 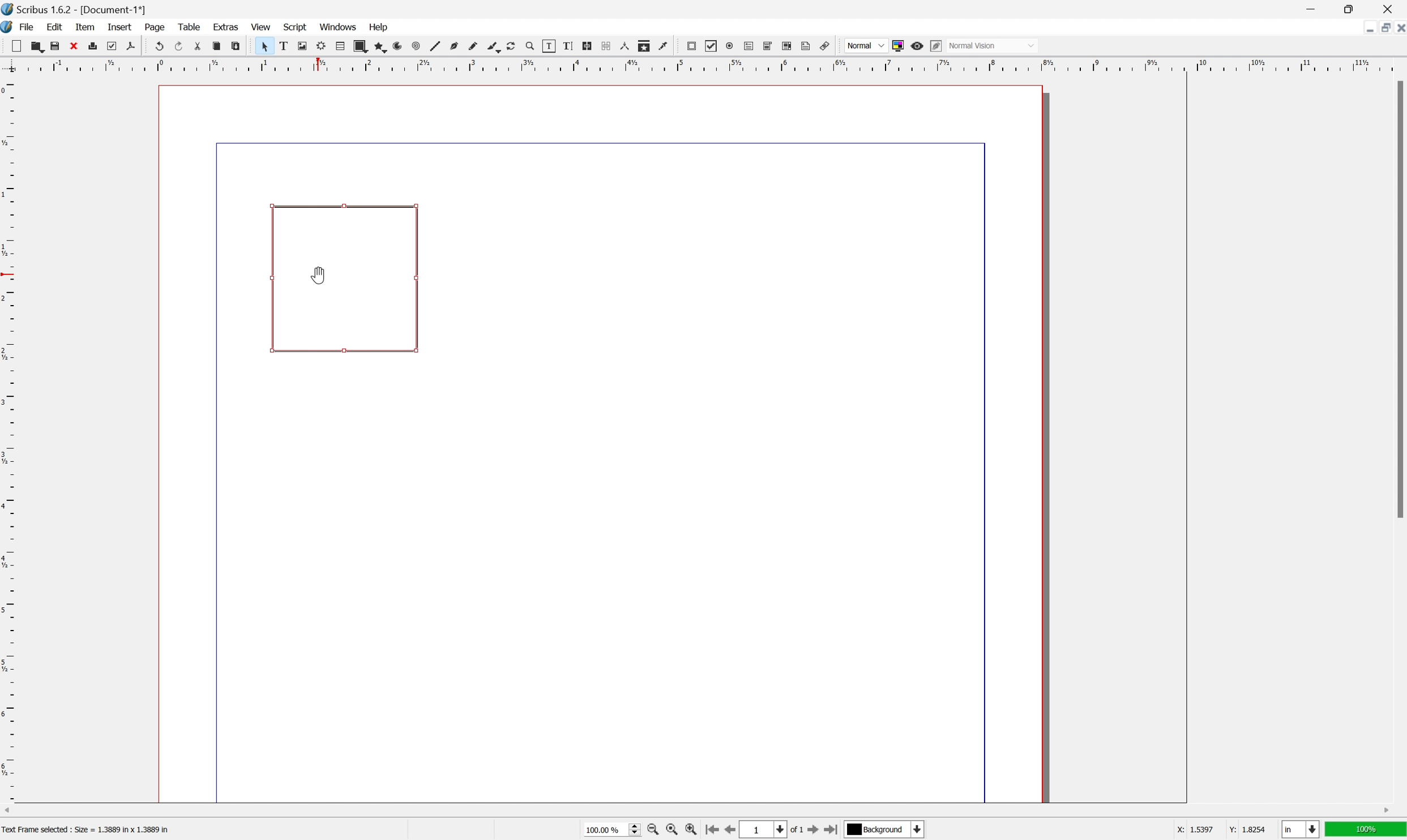 I want to click on go to first page, so click(x=713, y=830).